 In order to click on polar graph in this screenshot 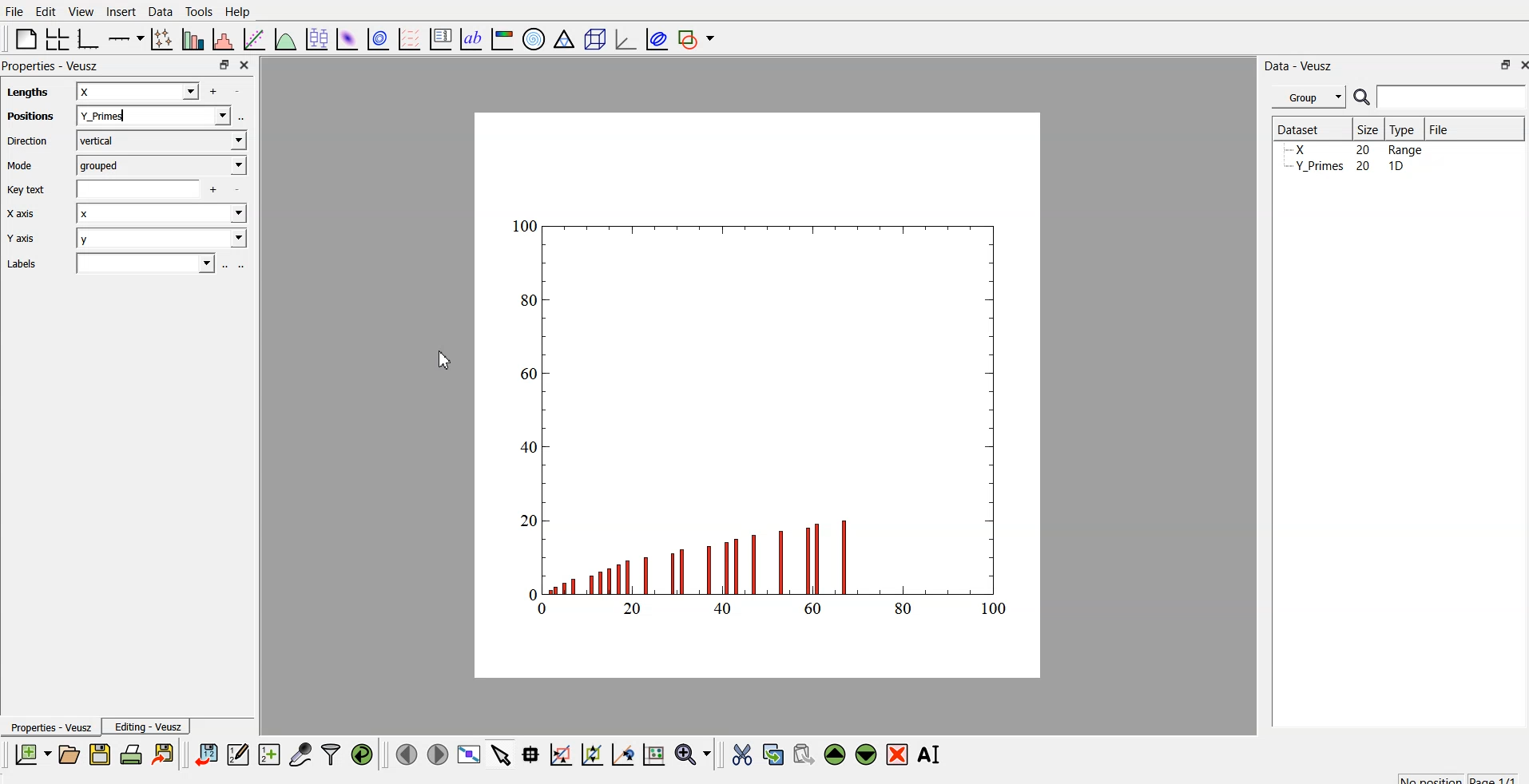, I will do `click(536, 40)`.